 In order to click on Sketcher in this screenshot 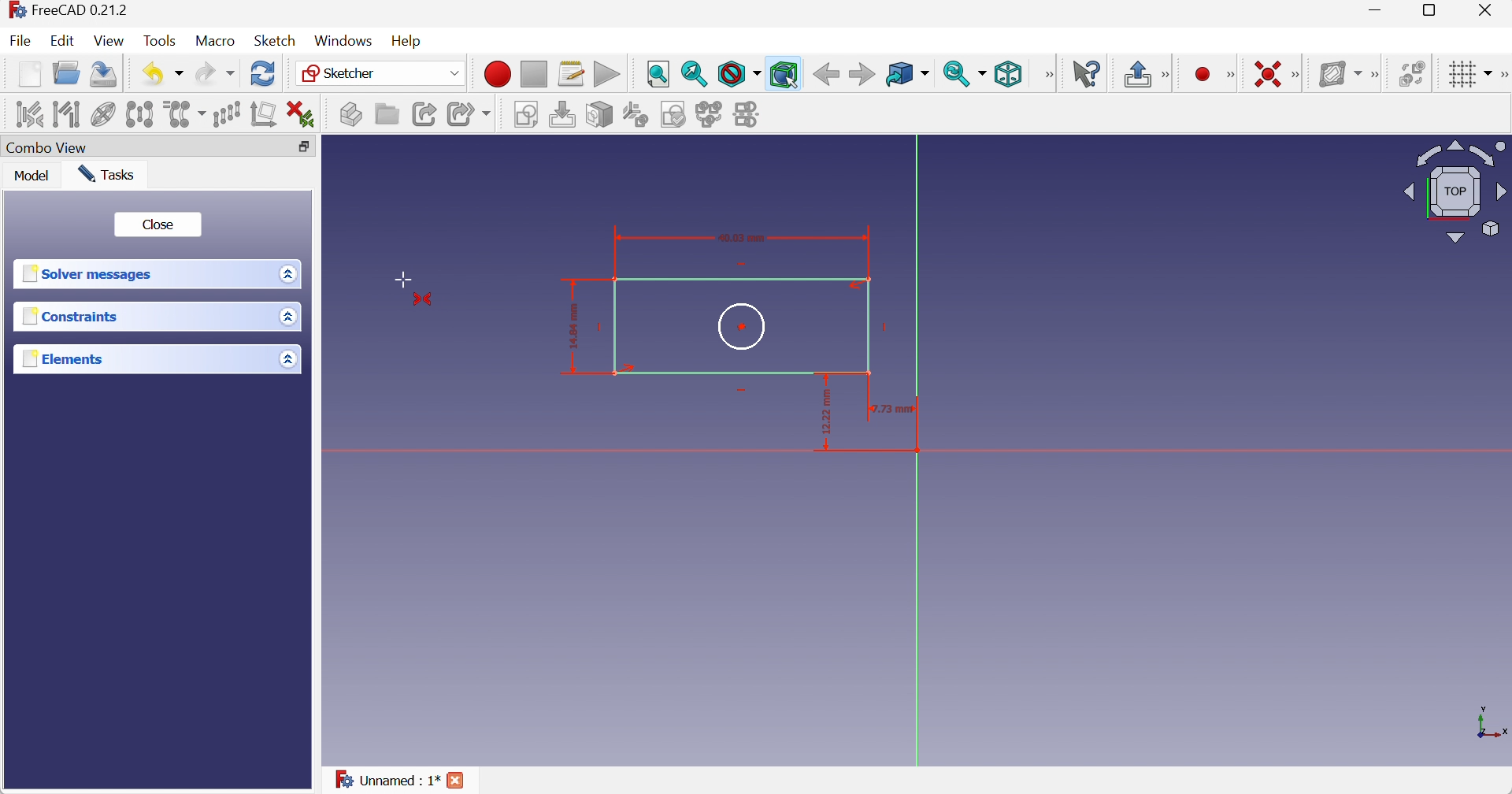, I will do `click(384, 74)`.